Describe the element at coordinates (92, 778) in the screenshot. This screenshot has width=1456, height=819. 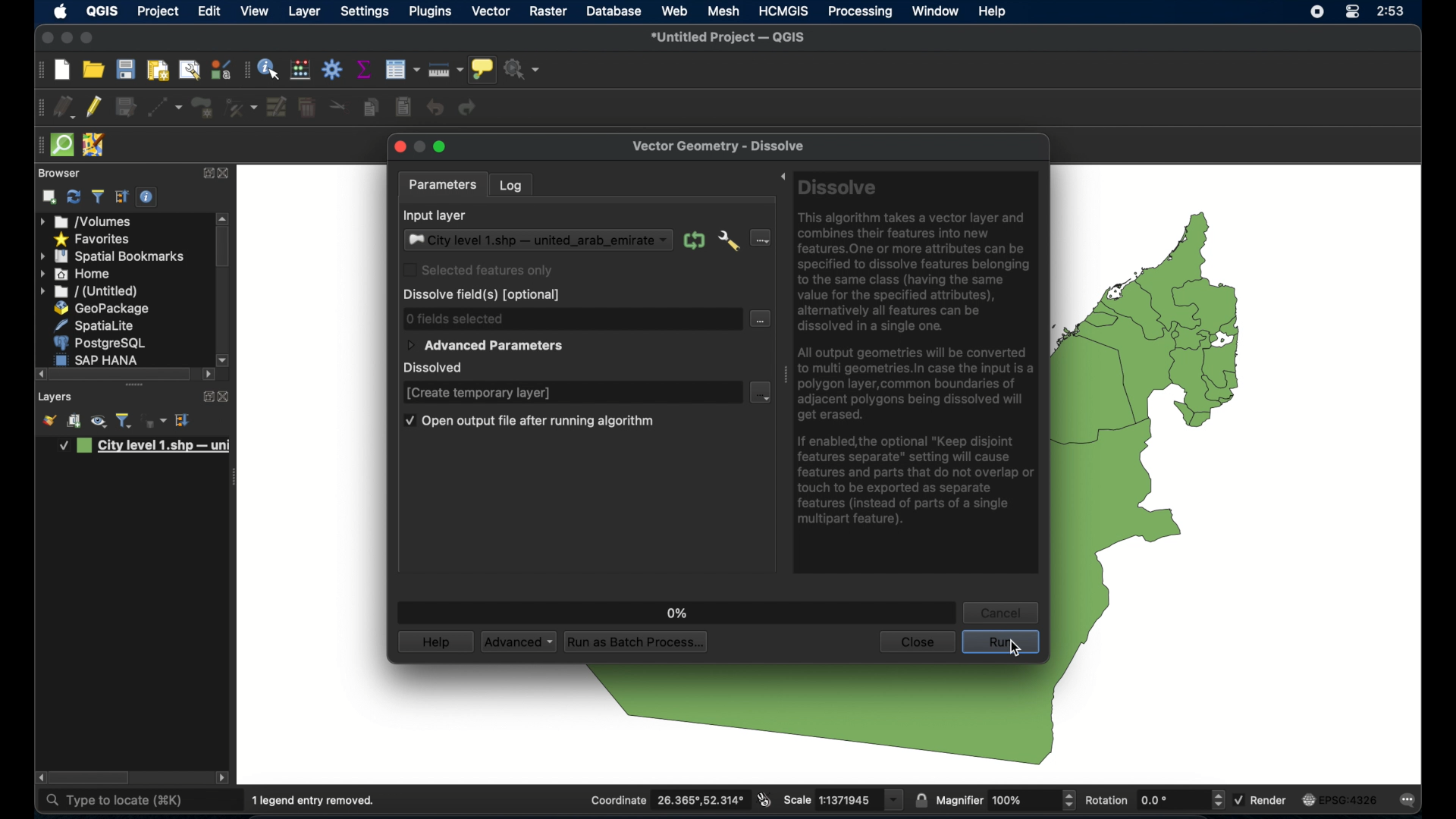
I see `scroll box` at that location.